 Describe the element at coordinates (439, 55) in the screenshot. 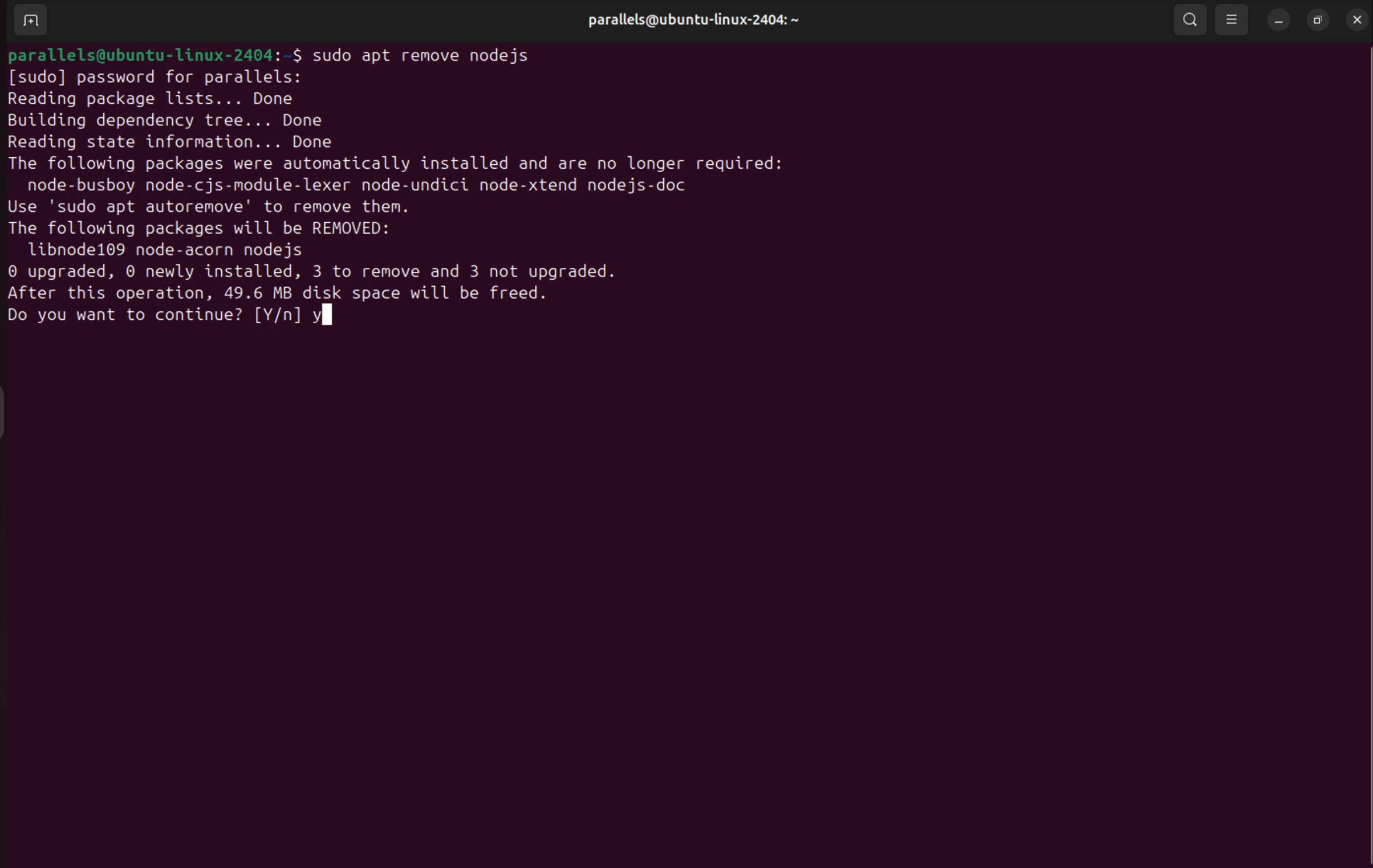

I see `sudo apt remove nodejs` at that location.